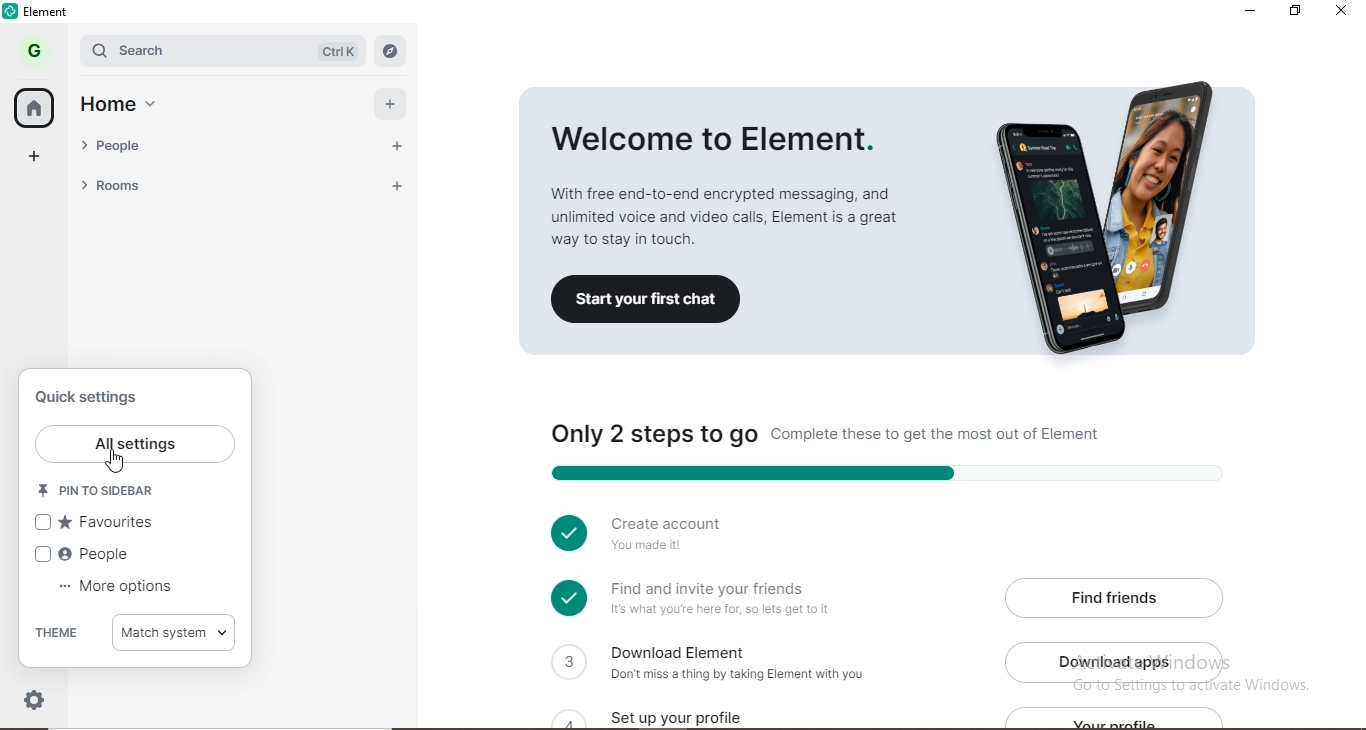 Image resolution: width=1366 pixels, height=730 pixels. What do you see at coordinates (33, 50) in the screenshot?
I see `G` at bounding box center [33, 50].